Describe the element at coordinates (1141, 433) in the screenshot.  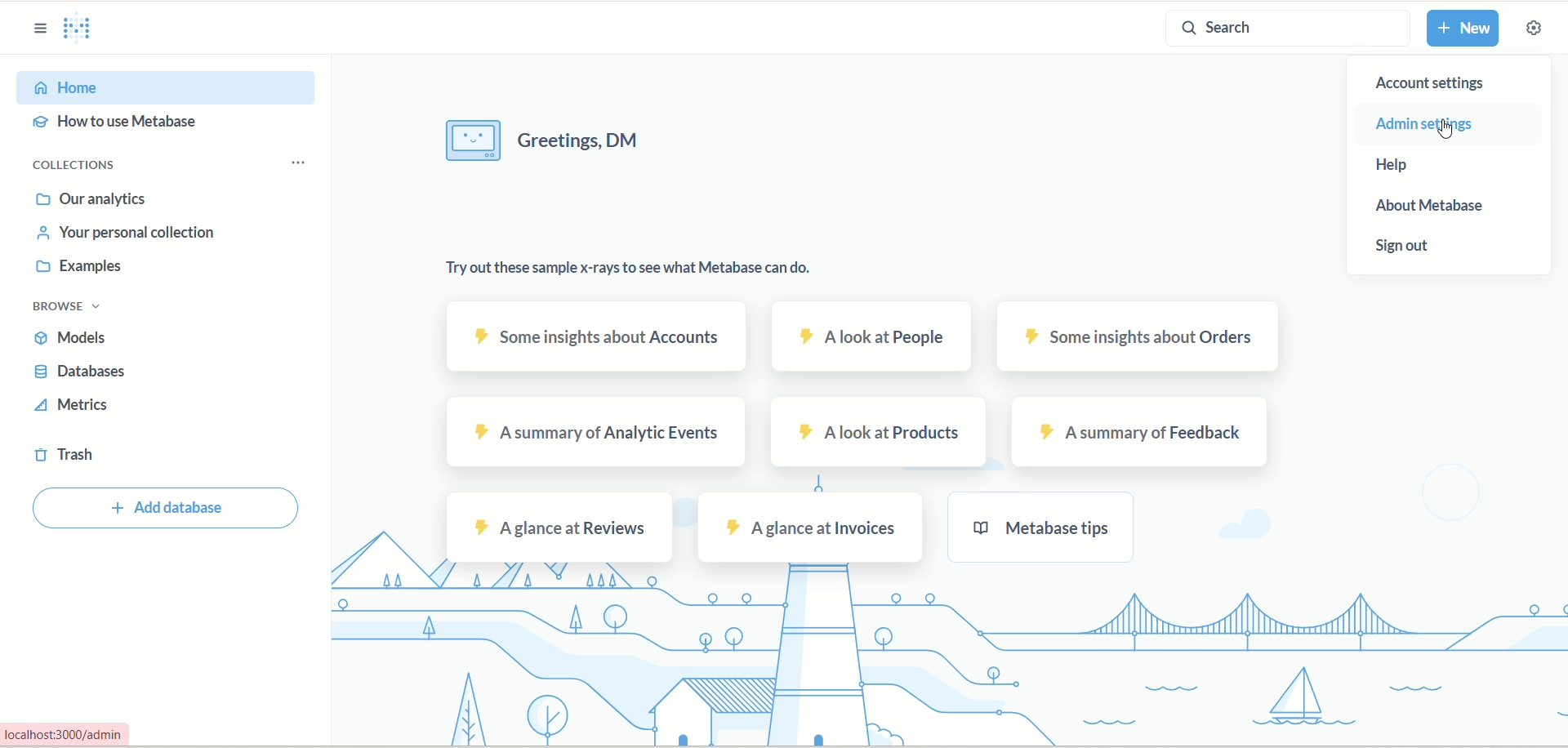
I see `A summary of feedback` at that location.